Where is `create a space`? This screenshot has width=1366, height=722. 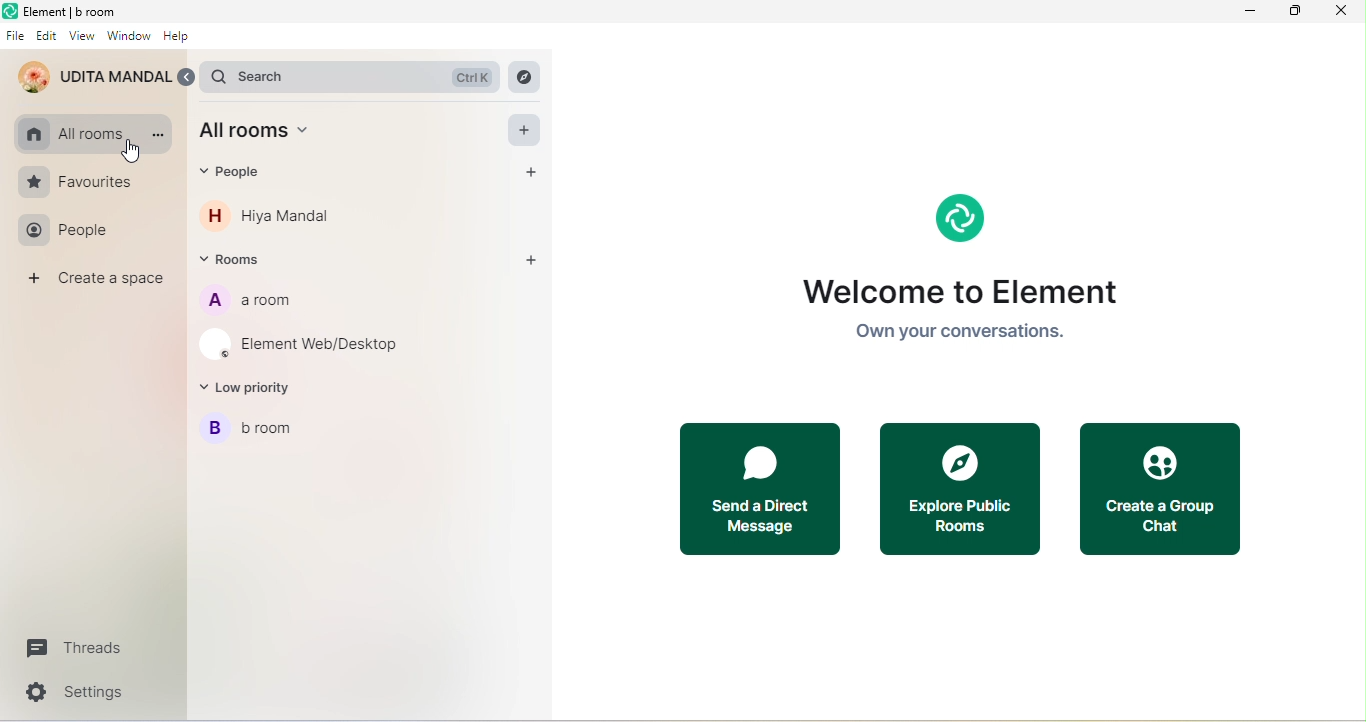
create a space is located at coordinates (100, 281).